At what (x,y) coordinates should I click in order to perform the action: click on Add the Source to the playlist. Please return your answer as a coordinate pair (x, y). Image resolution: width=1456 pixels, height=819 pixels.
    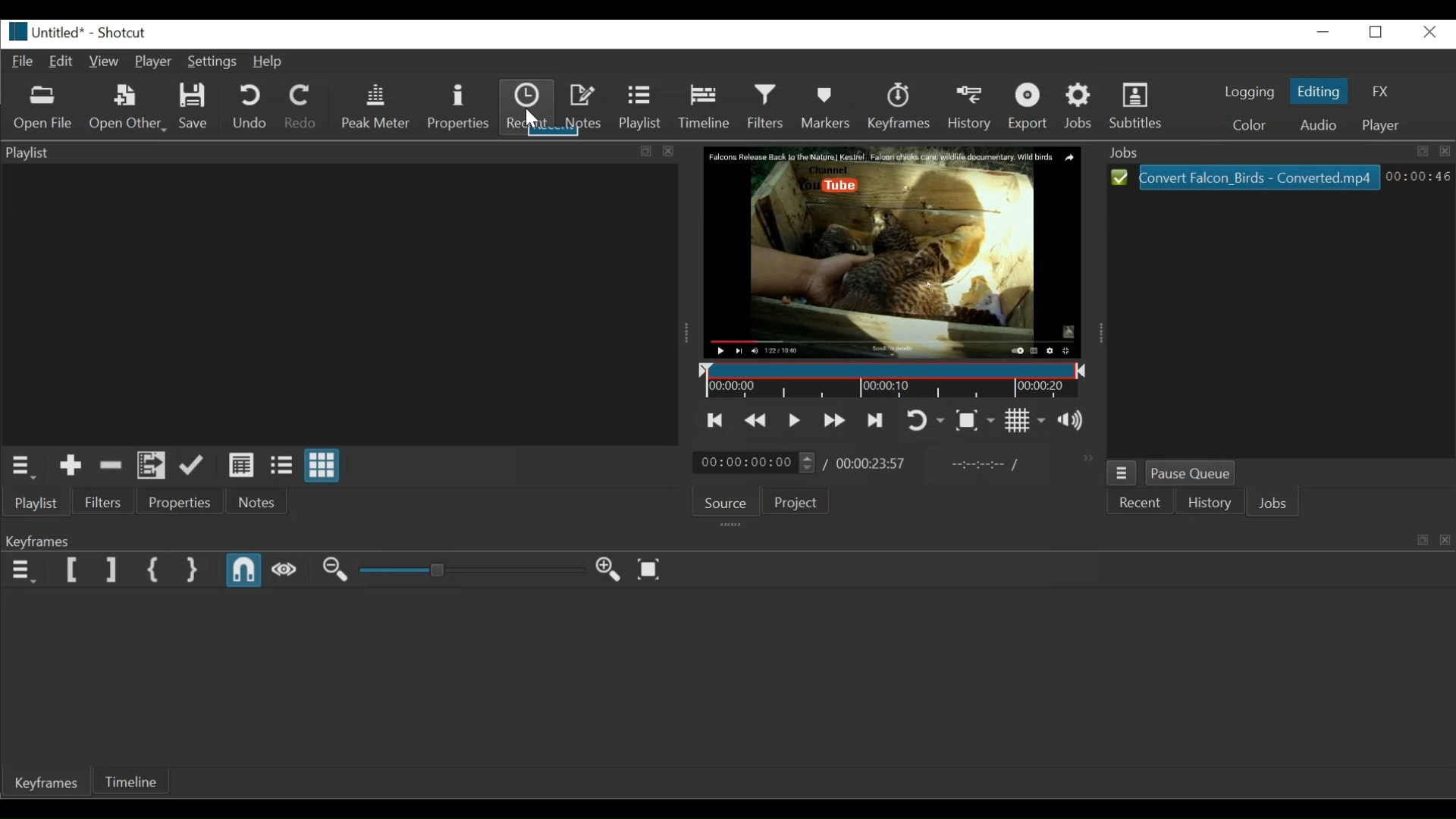
    Looking at the image, I should click on (71, 465).